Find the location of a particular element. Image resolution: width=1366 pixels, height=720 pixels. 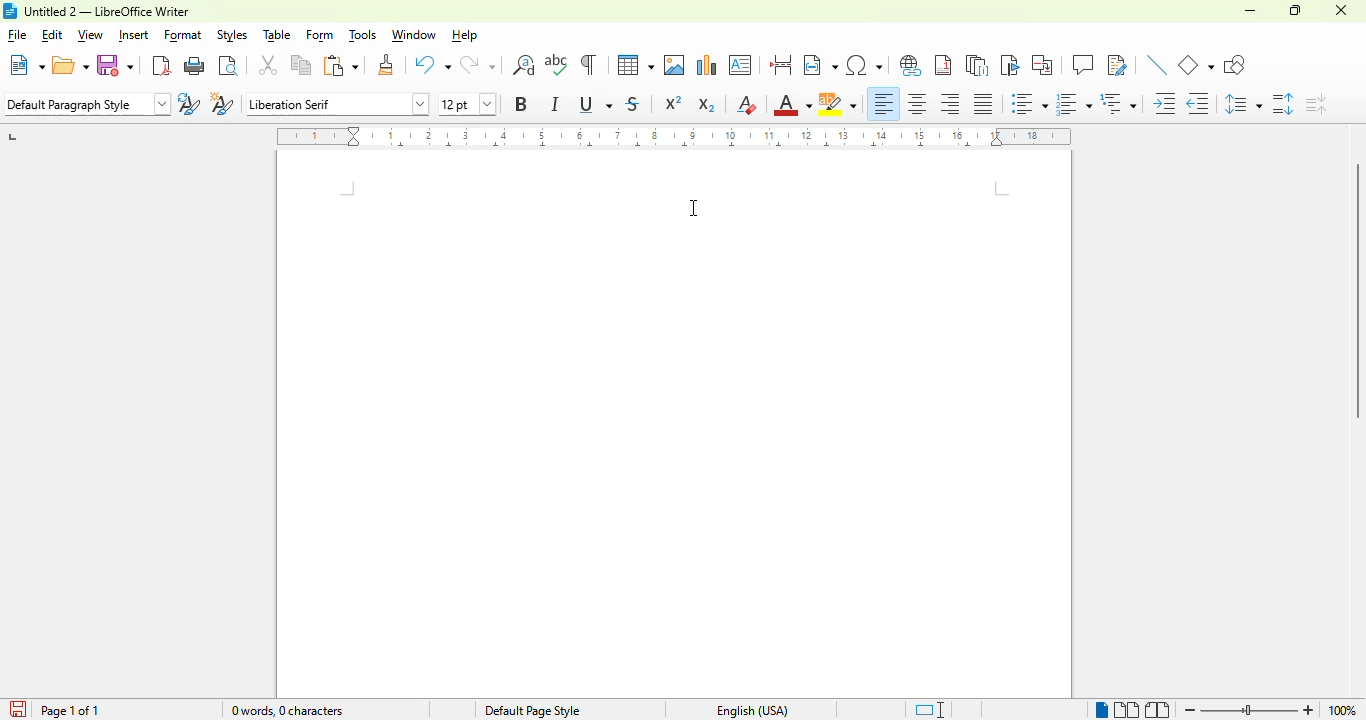

zoom in is located at coordinates (1309, 710).